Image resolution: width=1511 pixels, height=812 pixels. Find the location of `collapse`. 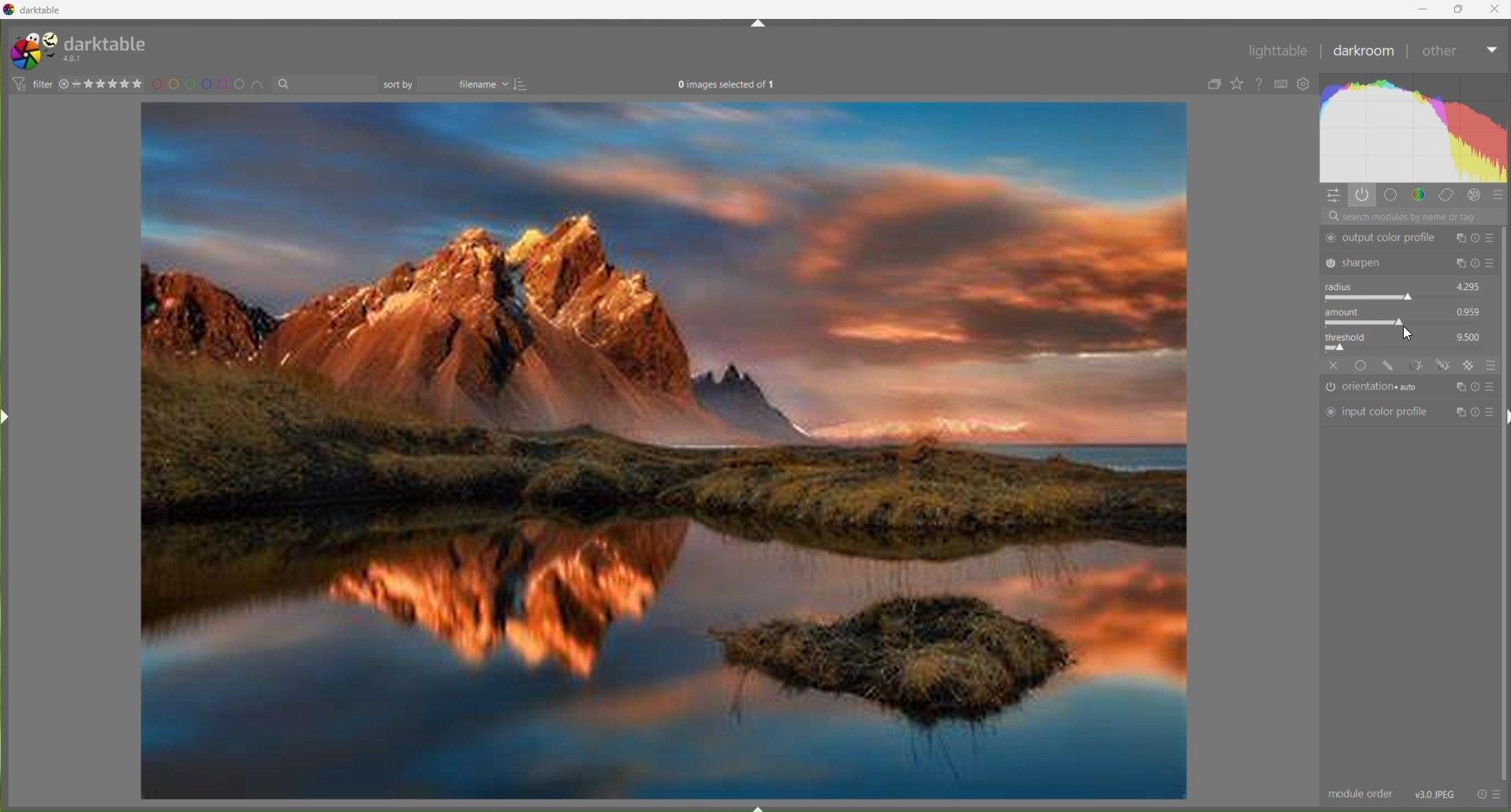

collapse is located at coordinates (1211, 85).